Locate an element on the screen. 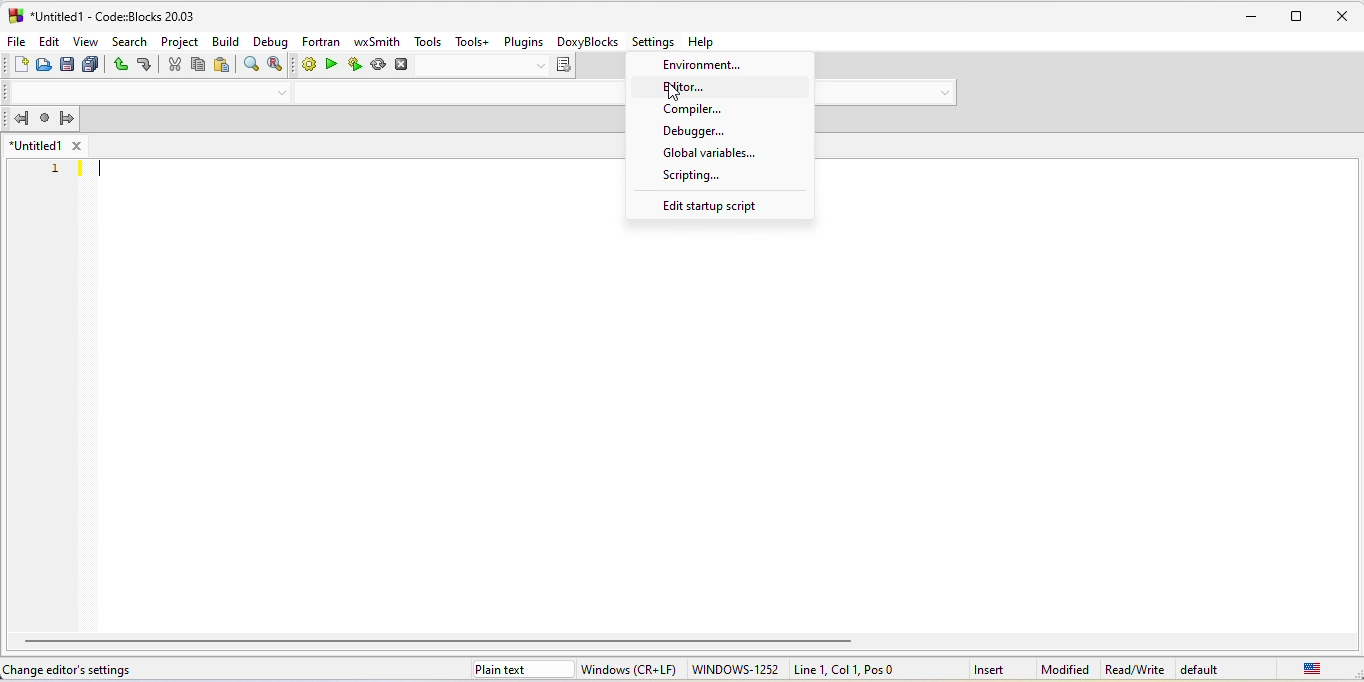  settings is located at coordinates (653, 41).